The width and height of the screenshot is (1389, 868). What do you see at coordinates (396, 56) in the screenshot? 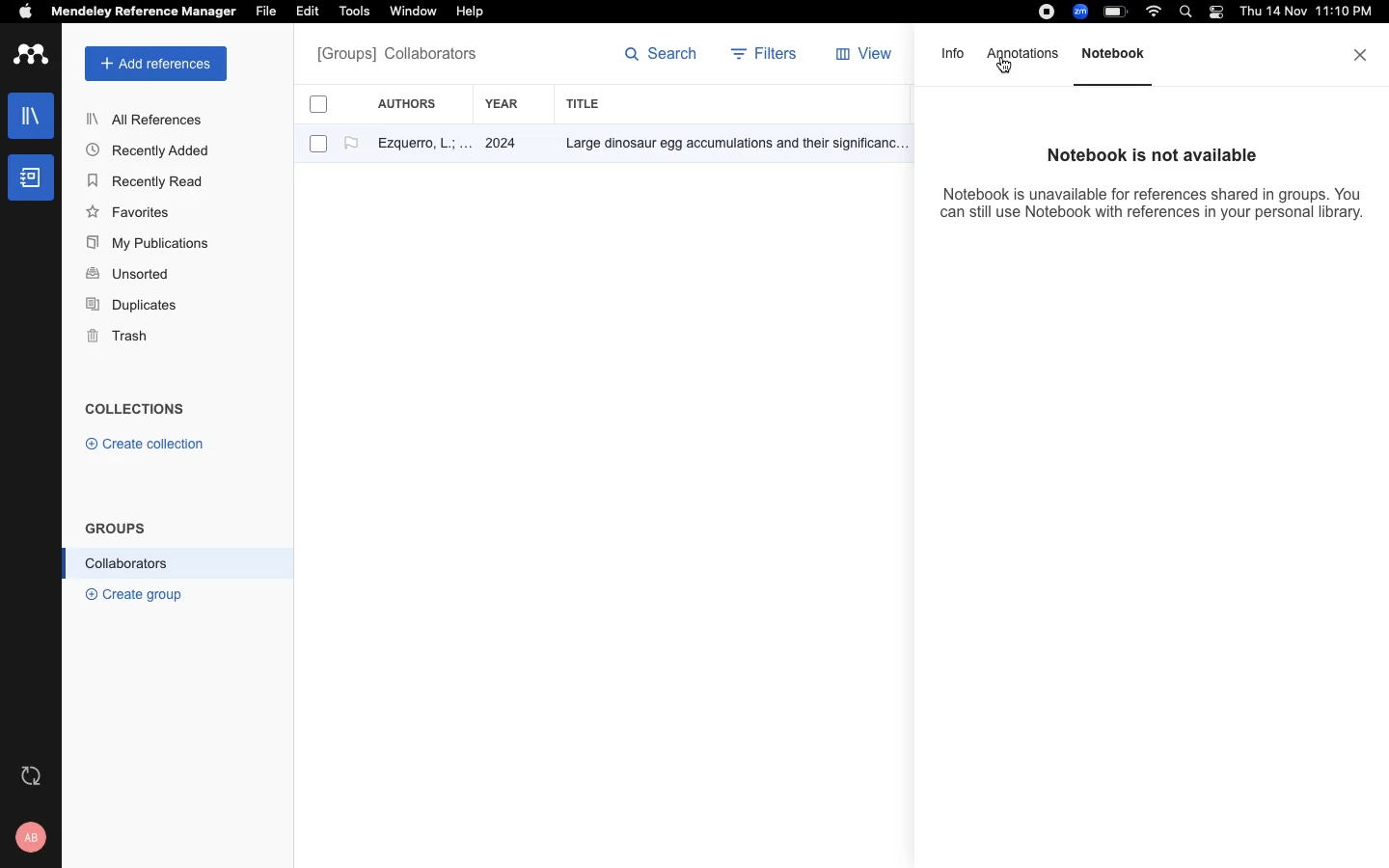
I see `All references` at bounding box center [396, 56].